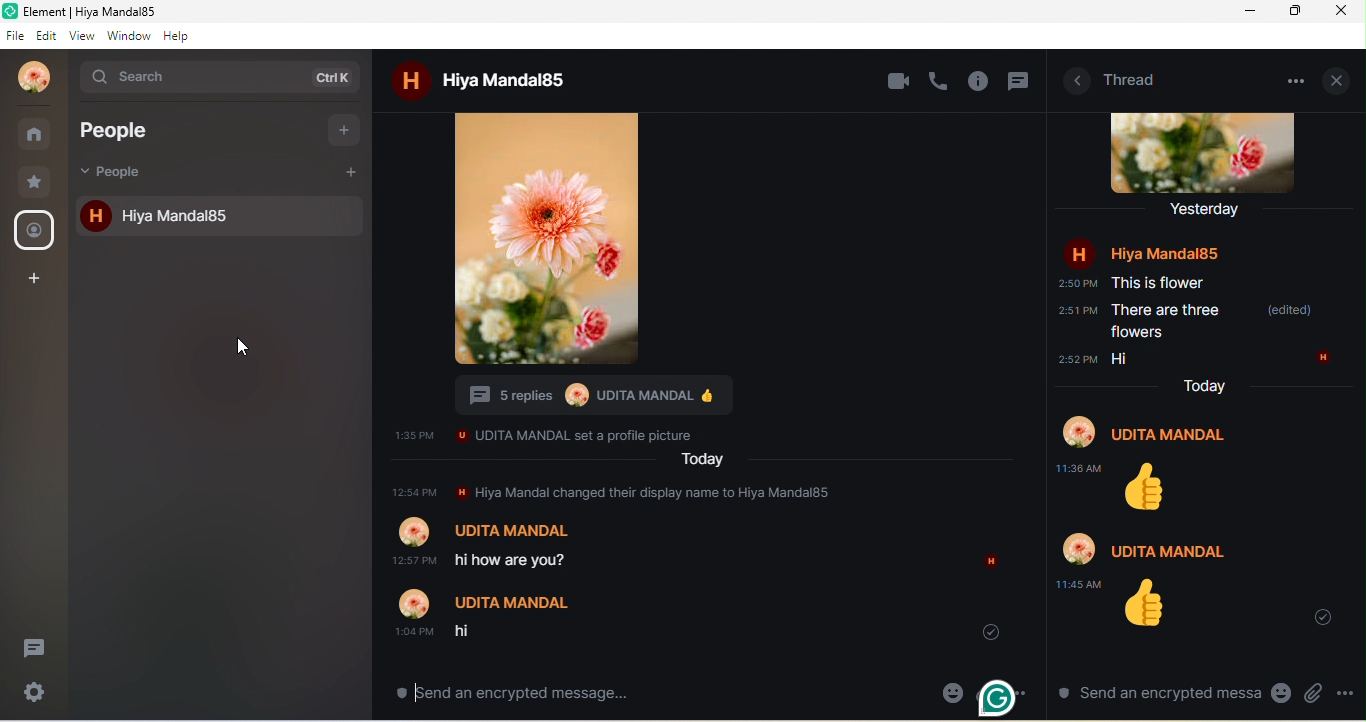 Image resolution: width=1366 pixels, height=722 pixels. Describe the element at coordinates (1168, 550) in the screenshot. I see `Udita Mandal` at that location.